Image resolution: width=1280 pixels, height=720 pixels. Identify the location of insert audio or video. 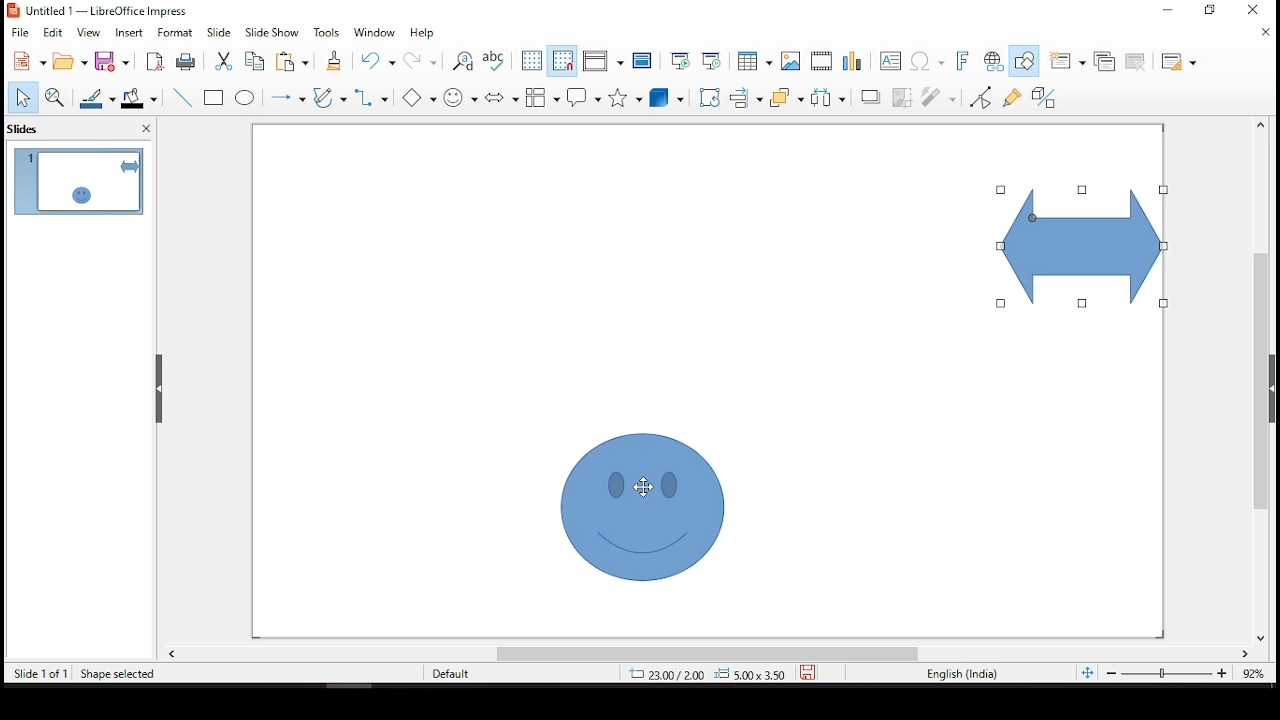
(821, 62).